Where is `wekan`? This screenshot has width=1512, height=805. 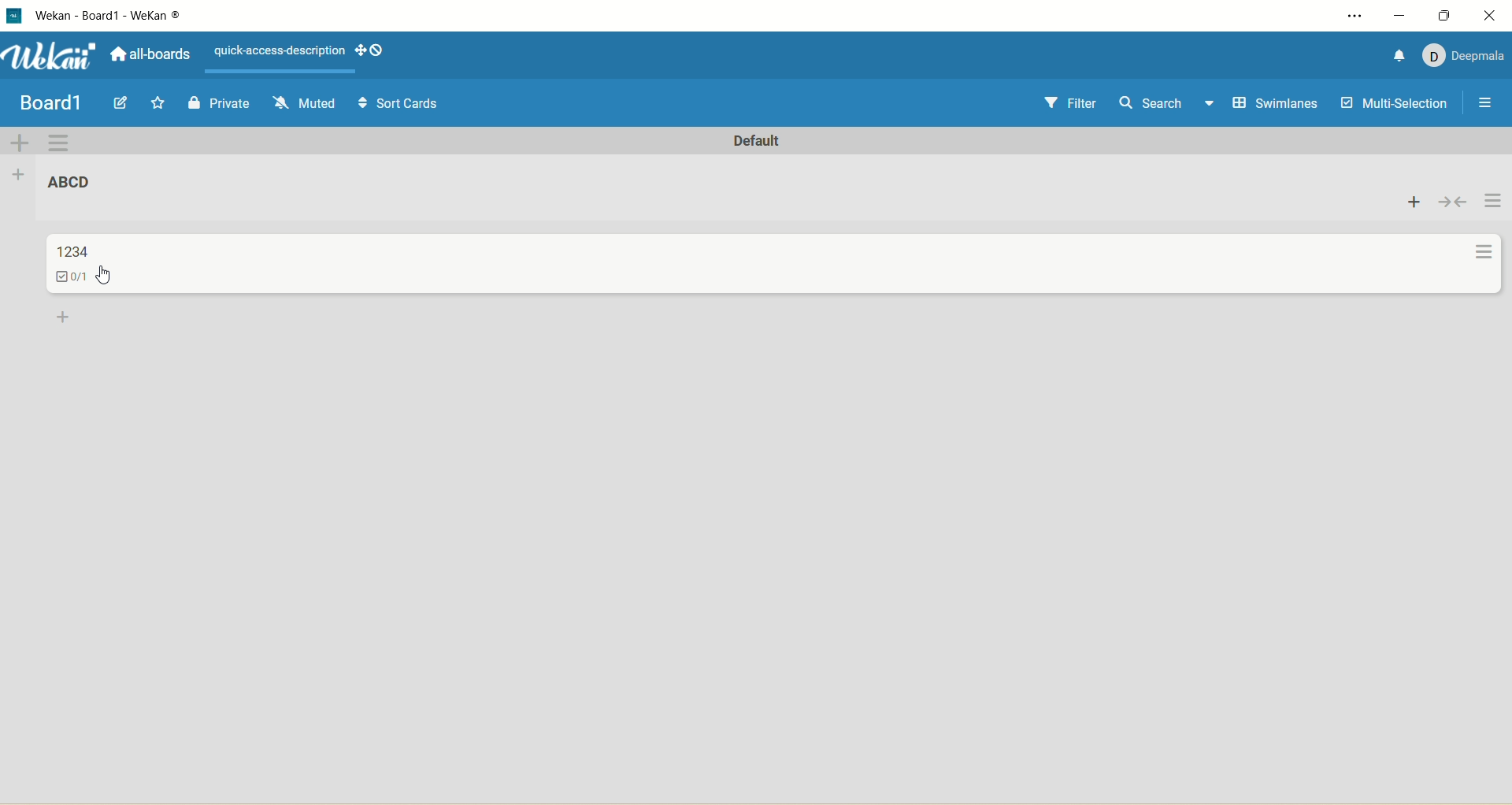 wekan is located at coordinates (50, 57).